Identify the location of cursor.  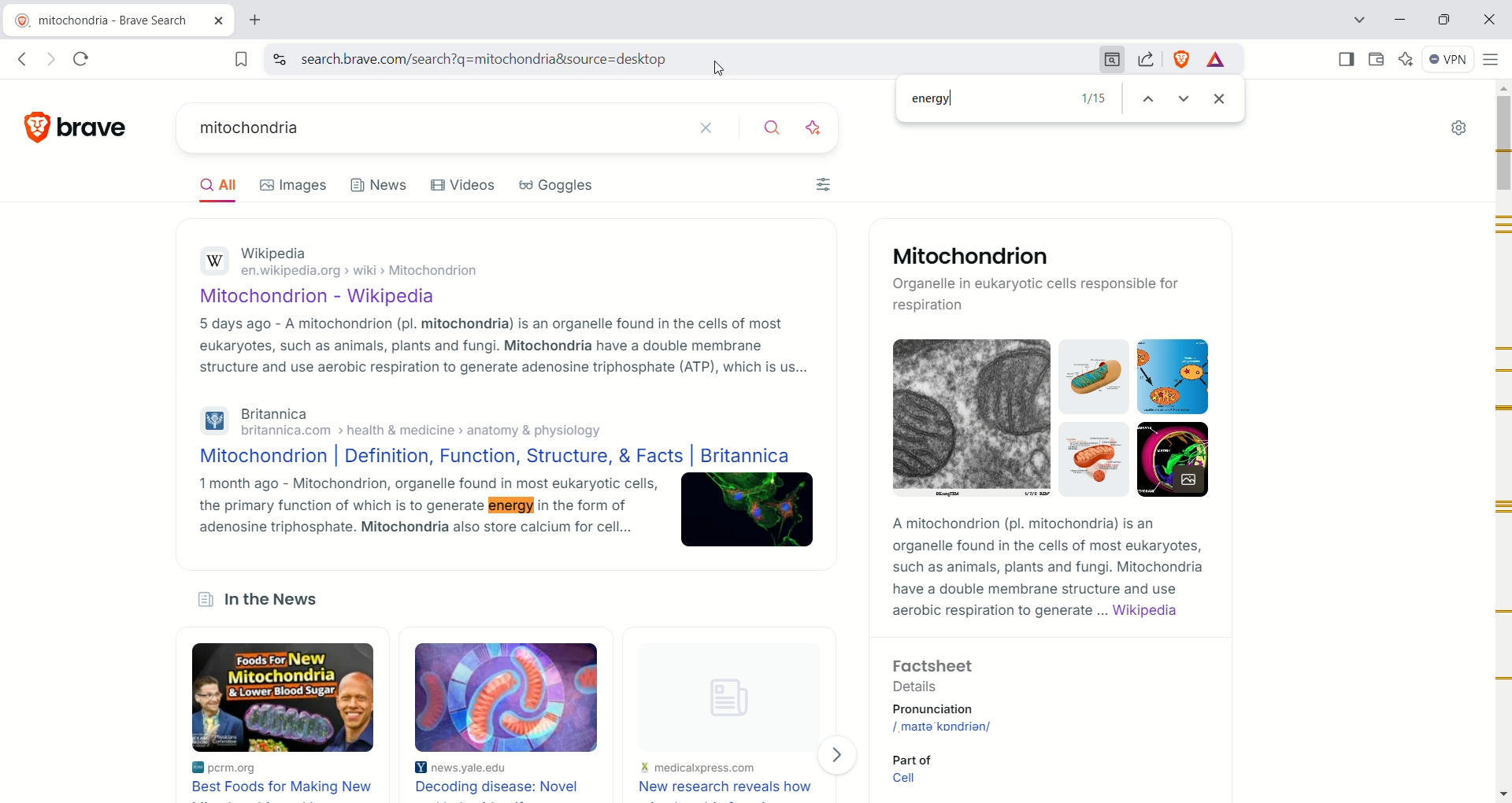
(715, 71).